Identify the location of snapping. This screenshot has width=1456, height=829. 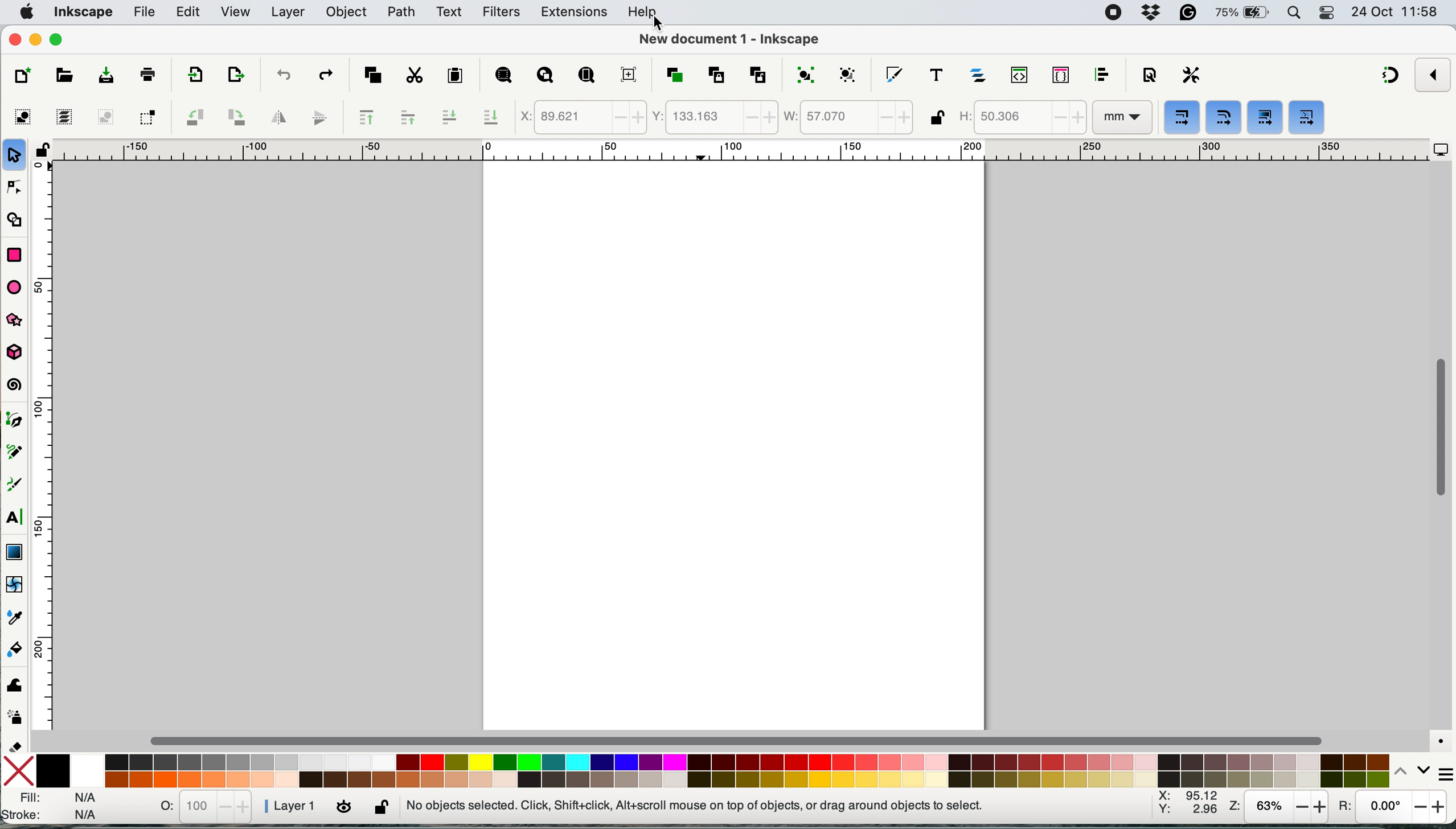
(1387, 76).